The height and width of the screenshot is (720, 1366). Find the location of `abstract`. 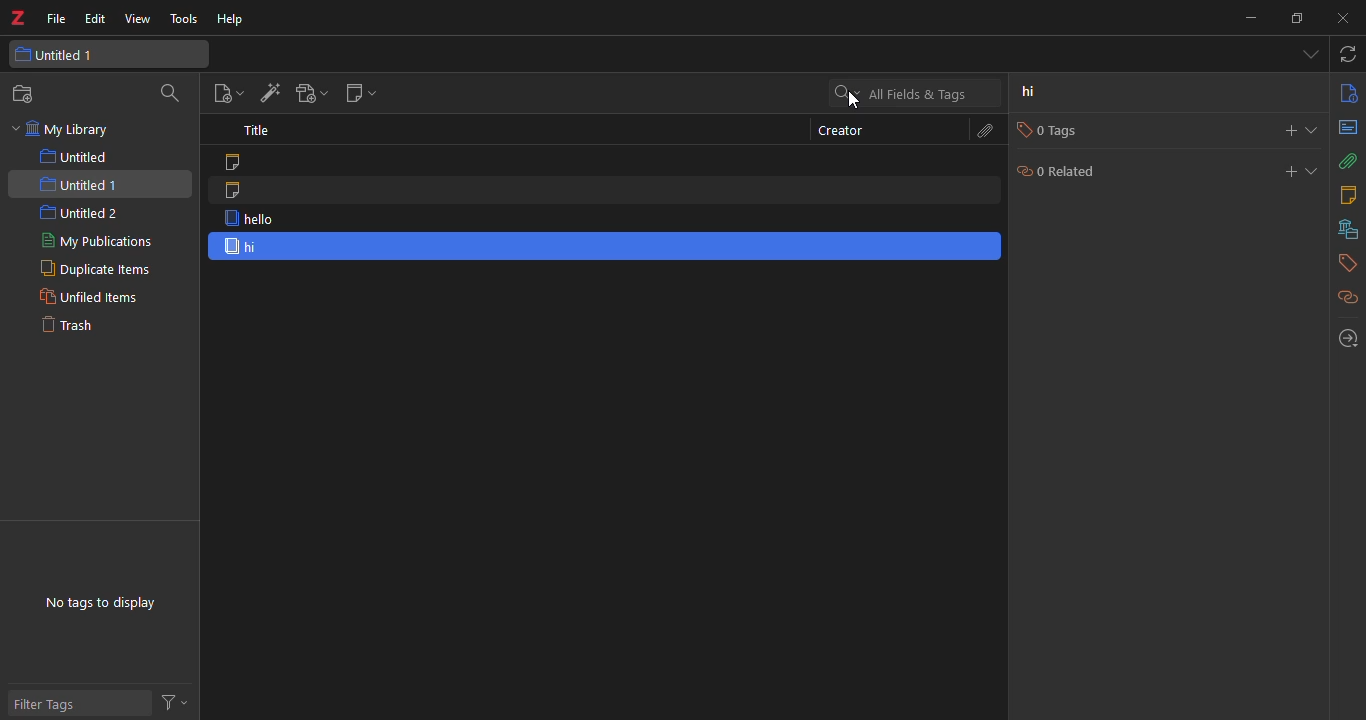

abstract is located at coordinates (1347, 128).